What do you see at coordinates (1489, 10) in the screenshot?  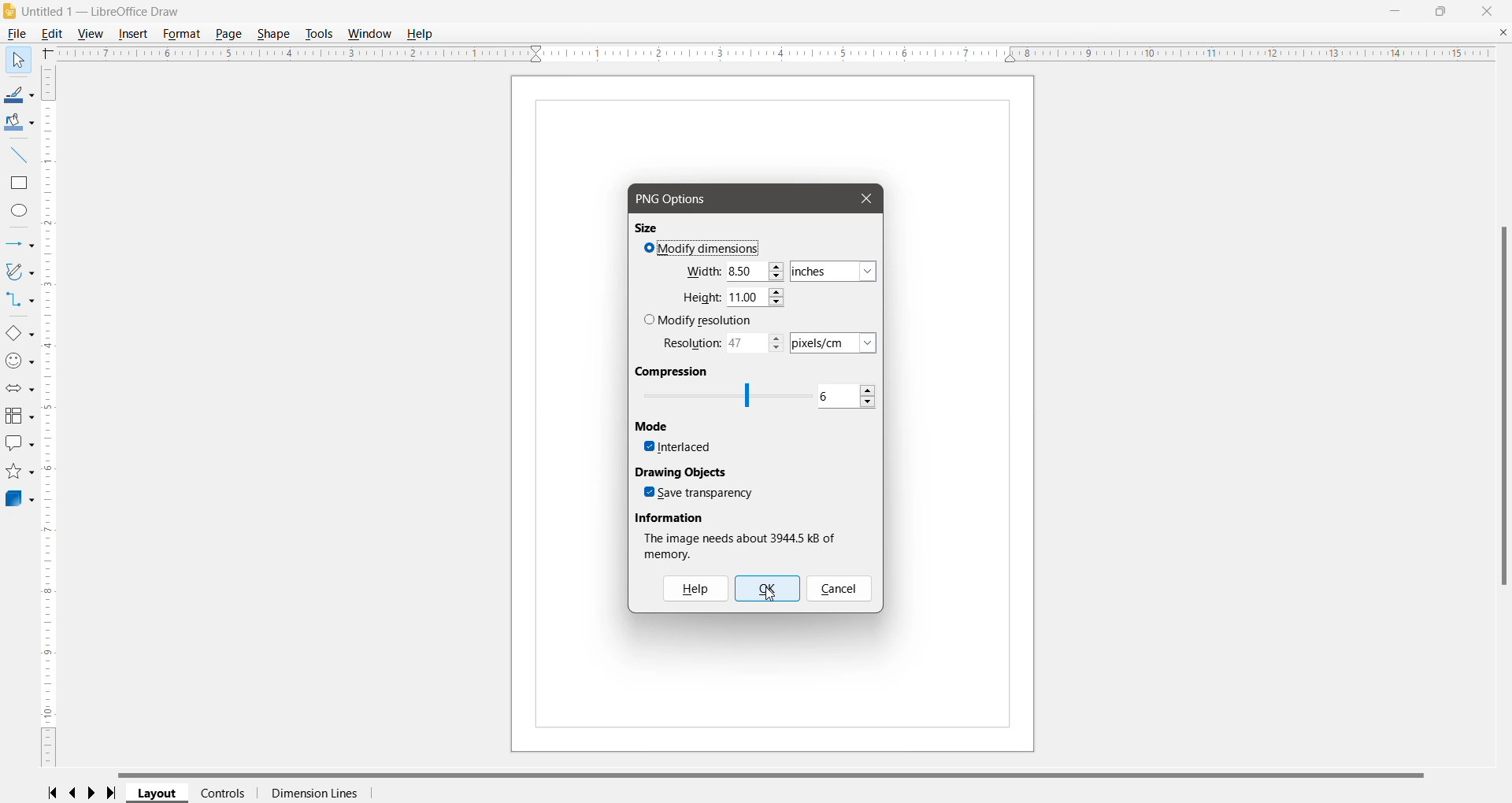 I see `Close` at bounding box center [1489, 10].